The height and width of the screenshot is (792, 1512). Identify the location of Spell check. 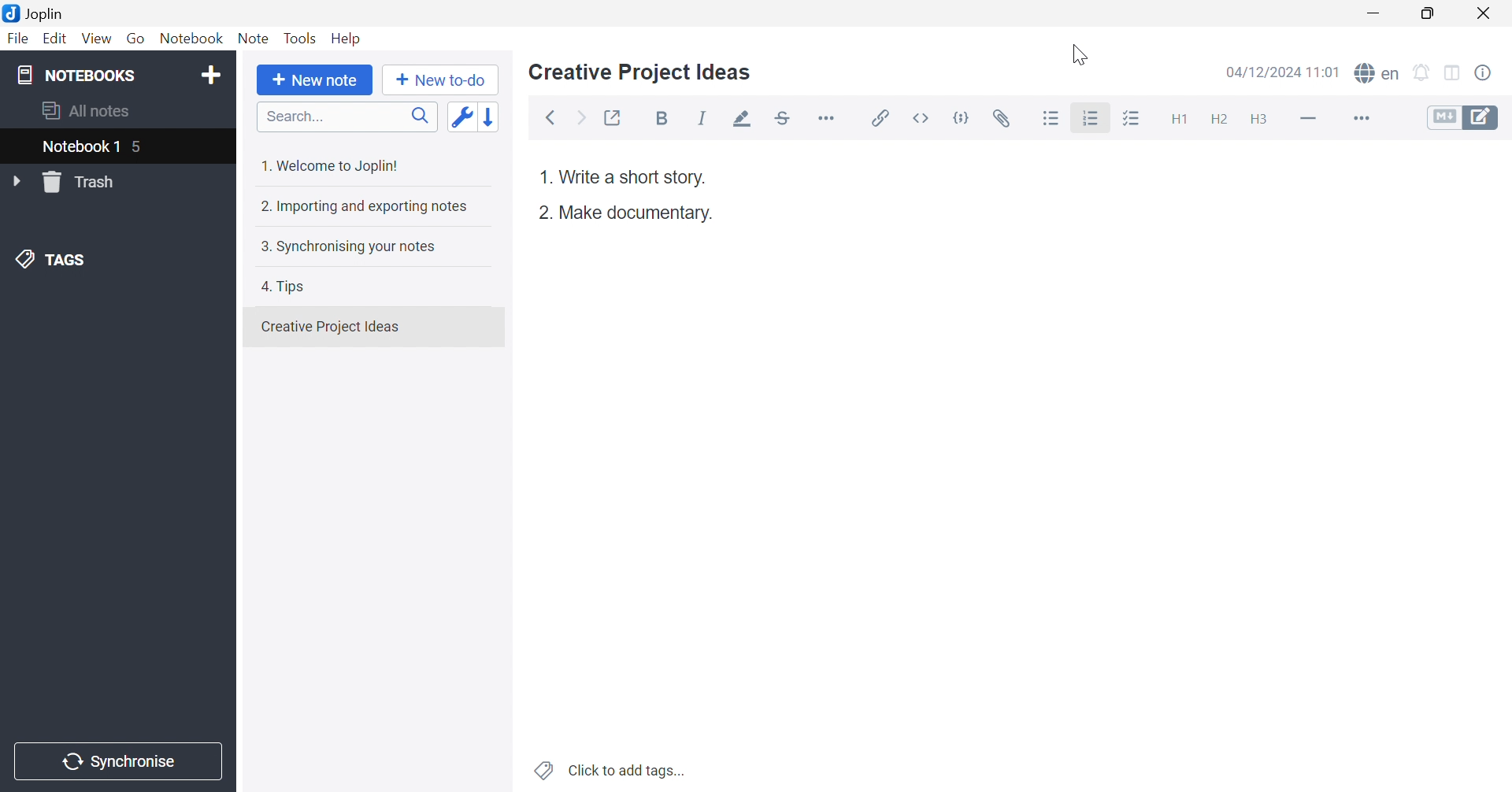
(1378, 75).